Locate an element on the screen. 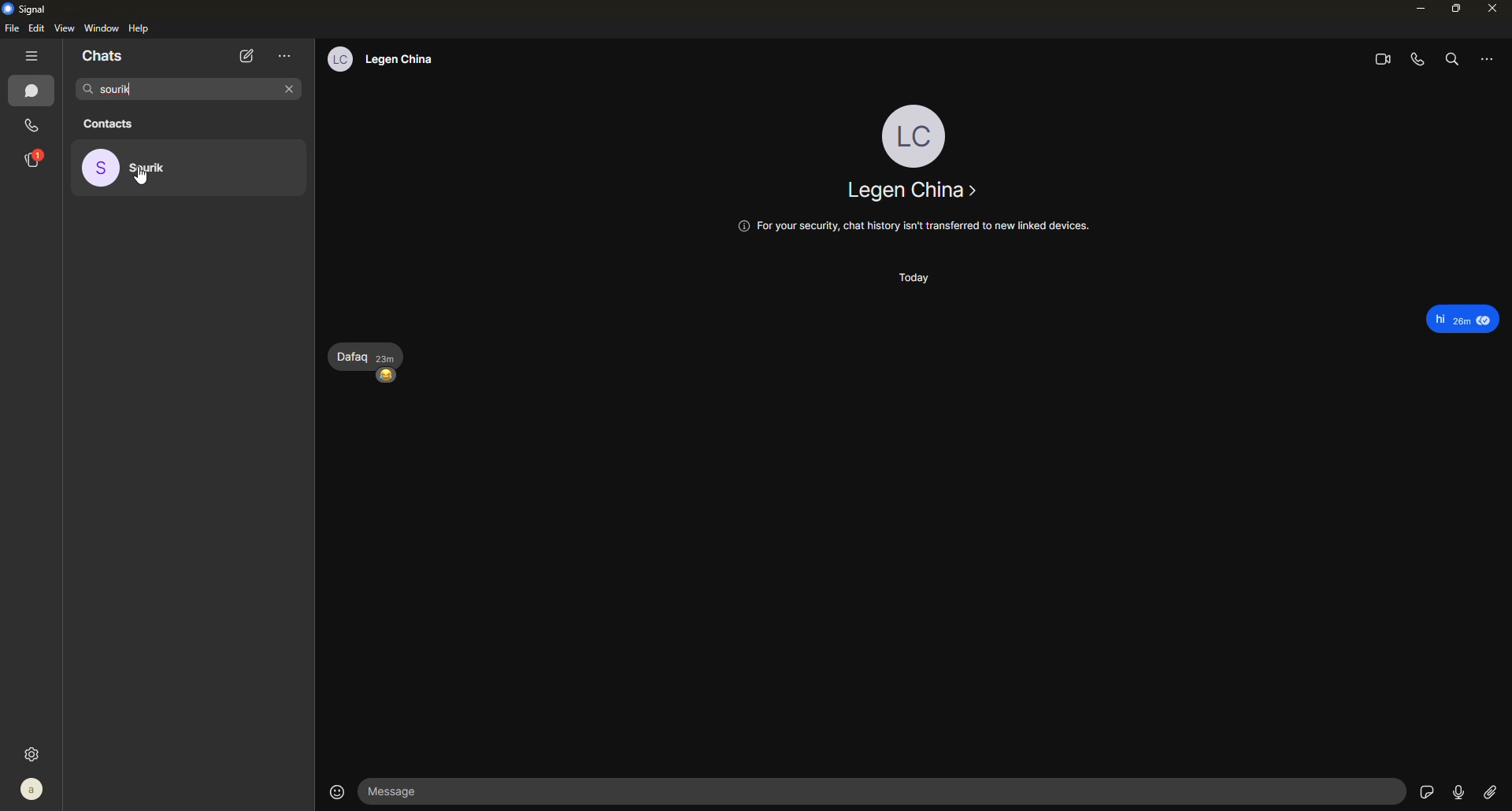 The width and height of the screenshot is (1512, 811). sticker is located at coordinates (1425, 792).